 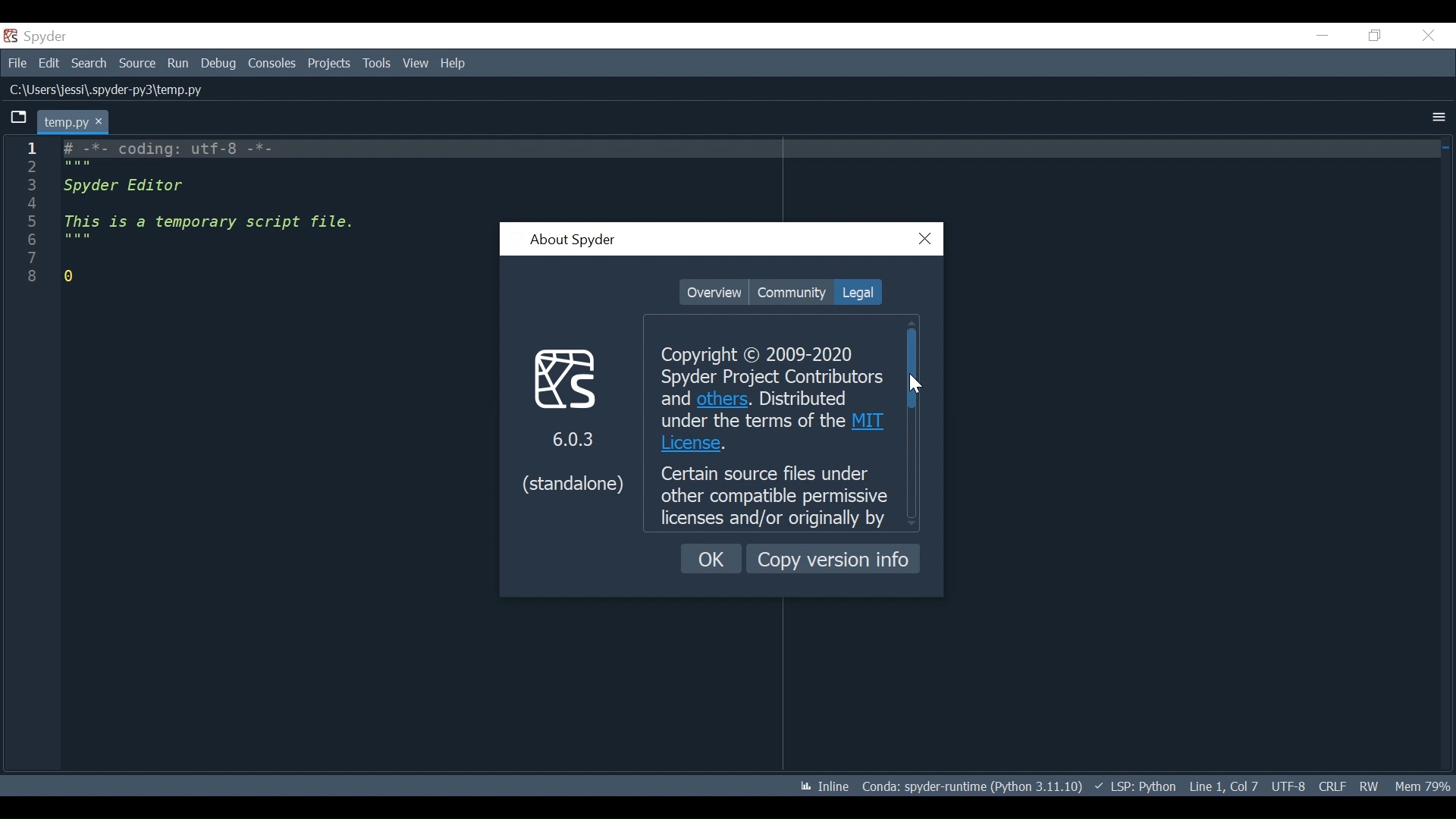 What do you see at coordinates (1439, 118) in the screenshot?
I see `More Options` at bounding box center [1439, 118].